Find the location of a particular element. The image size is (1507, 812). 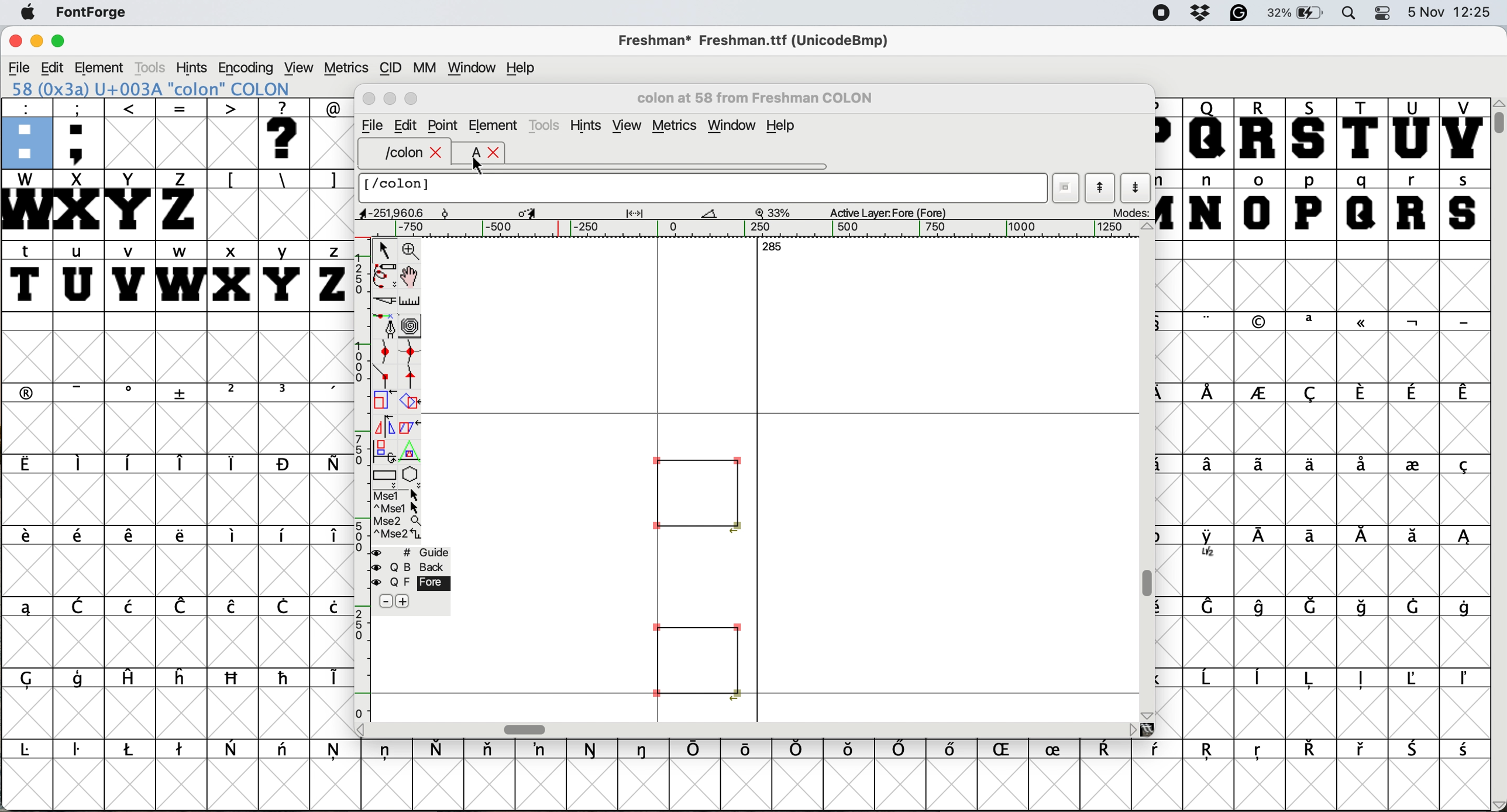

/colon is located at coordinates (395, 153).